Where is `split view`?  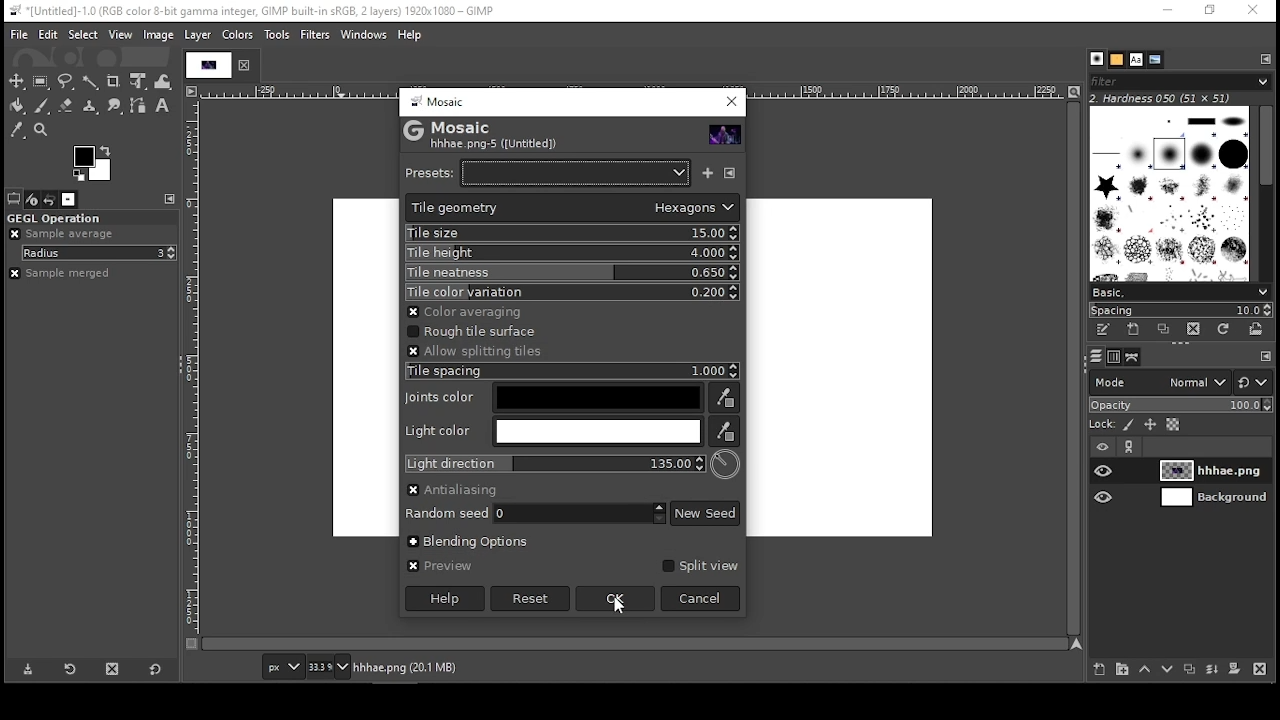 split view is located at coordinates (702, 566).